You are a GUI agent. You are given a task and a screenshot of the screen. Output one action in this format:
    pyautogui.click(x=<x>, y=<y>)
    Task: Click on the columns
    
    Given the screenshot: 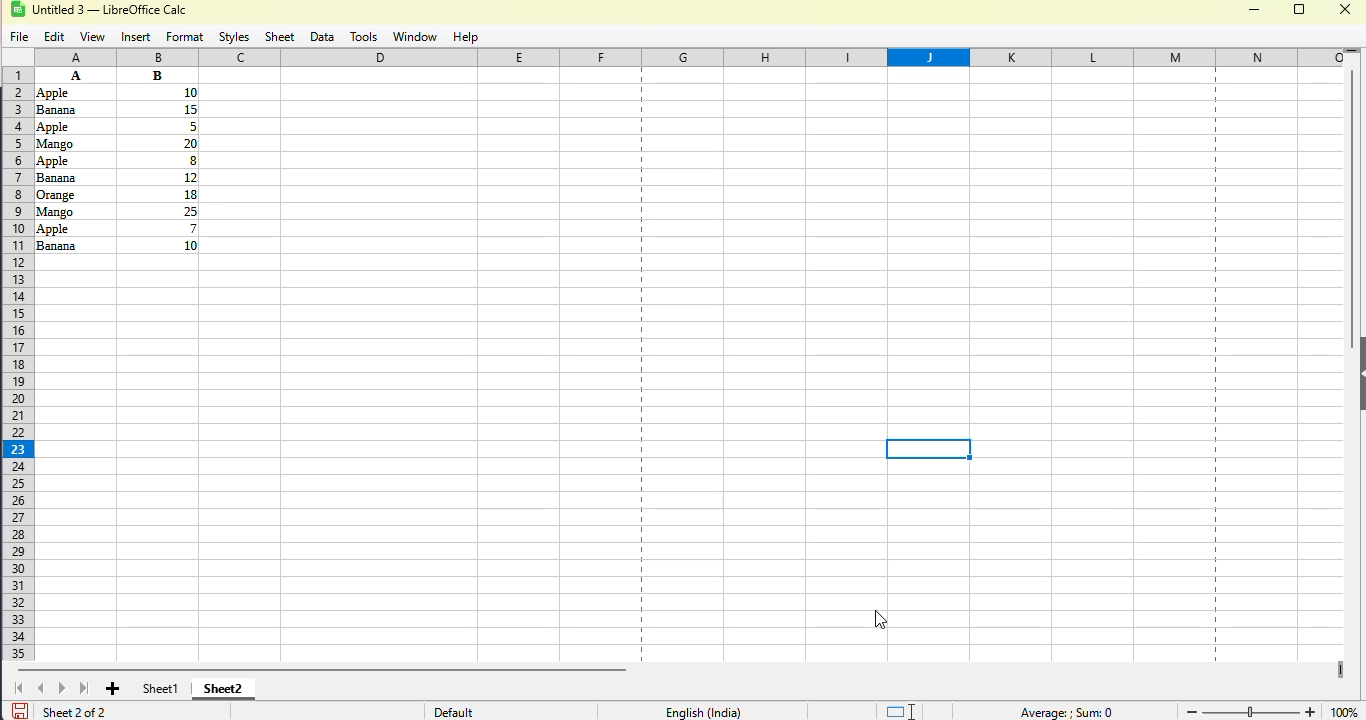 What is the action you would take?
    pyautogui.click(x=704, y=57)
    